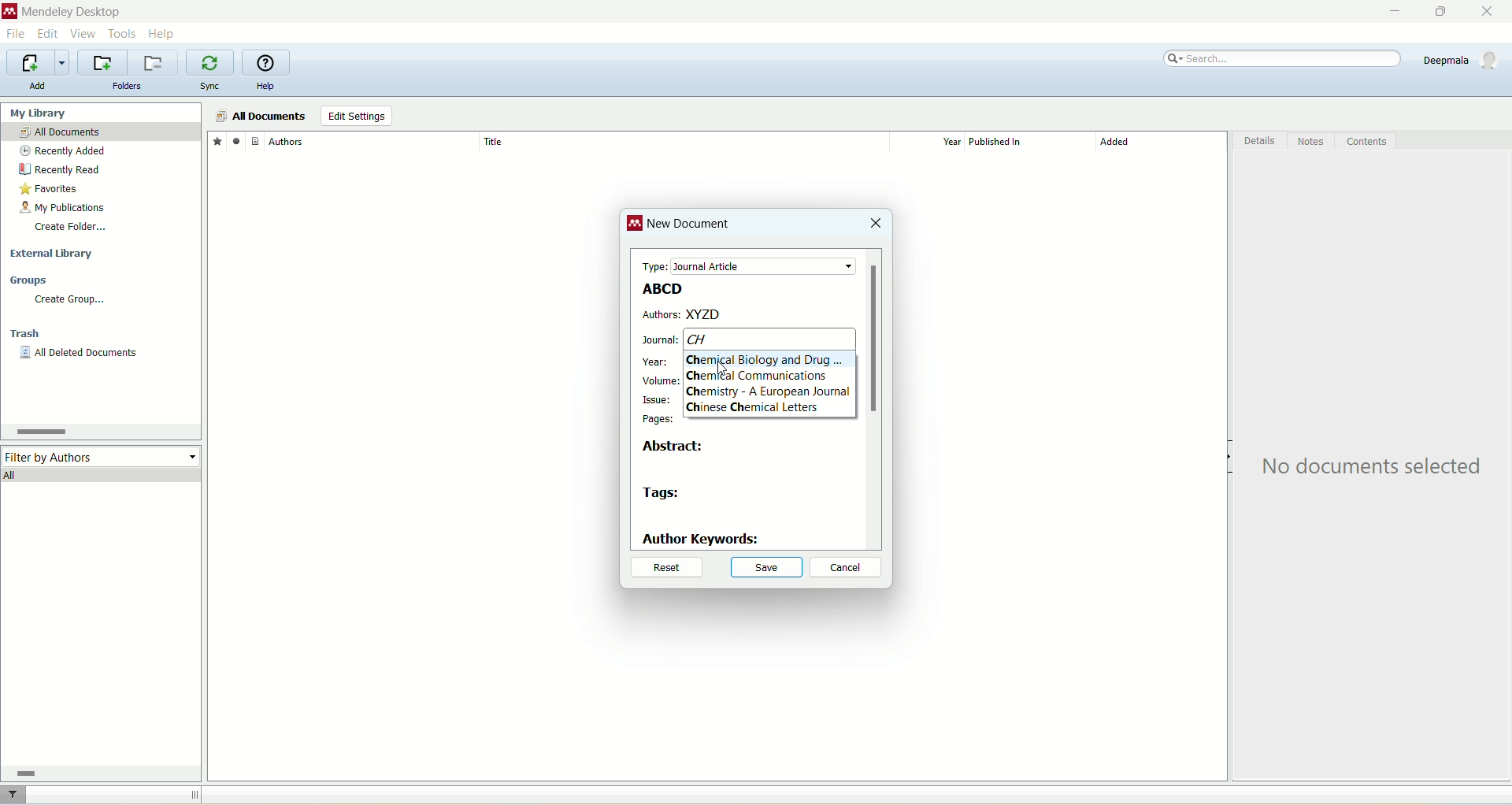  What do you see at coordinates (702, 540) in the screenshot?
I see `author keywords` at bounding box center [702, 540].